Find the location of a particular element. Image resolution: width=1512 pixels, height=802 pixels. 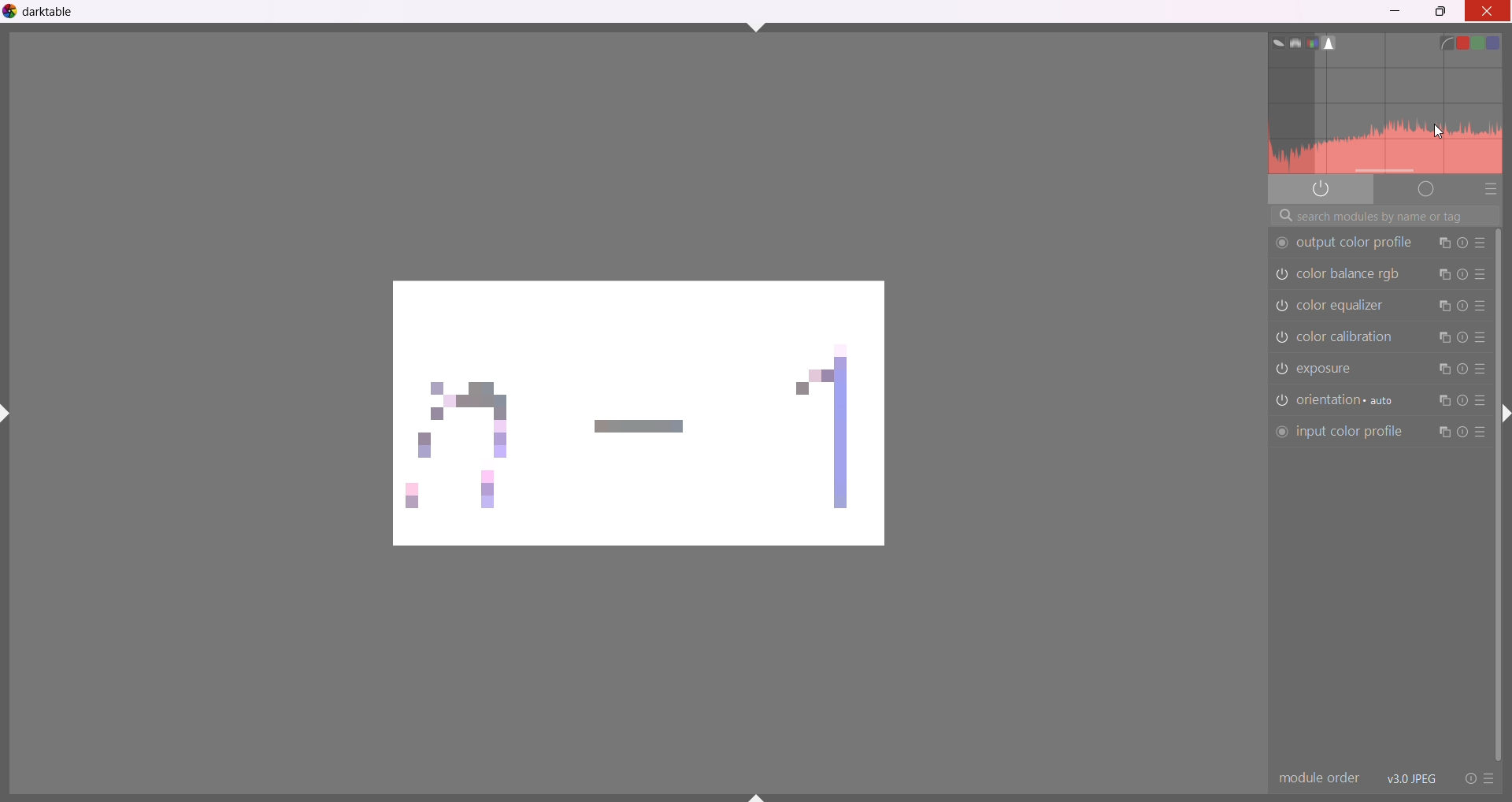

presets is located at coordinates (1480, 370).